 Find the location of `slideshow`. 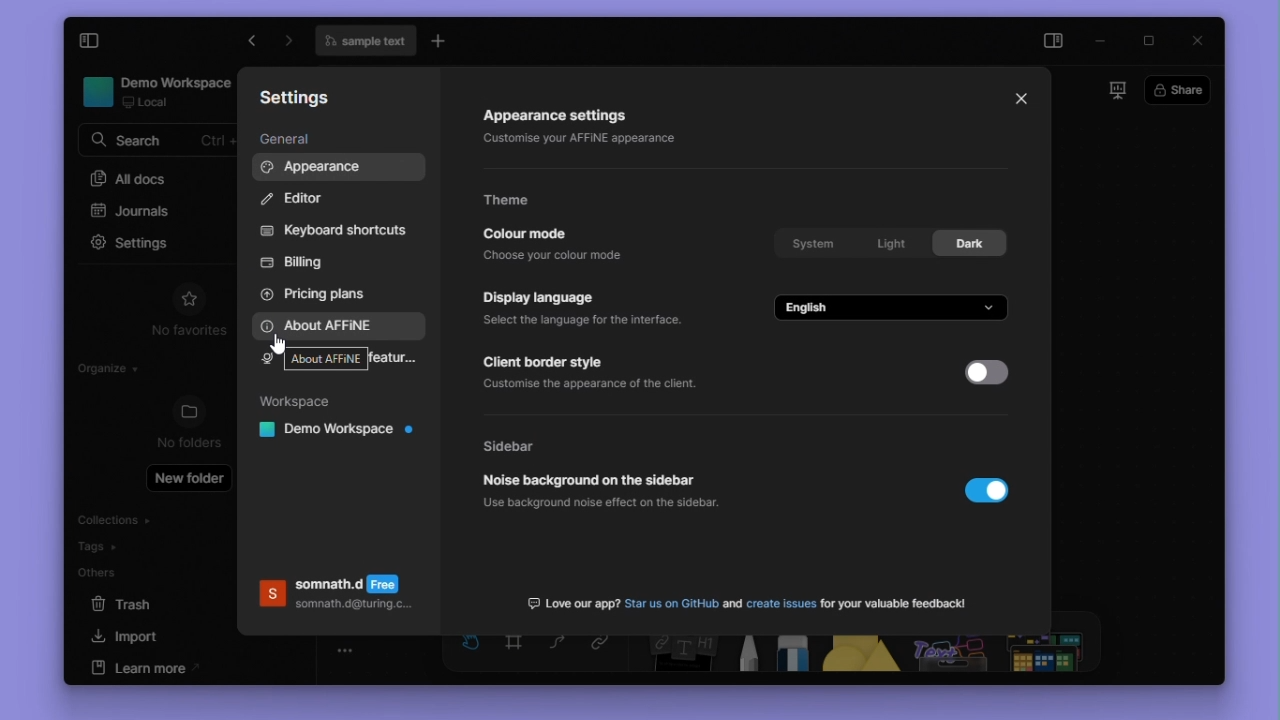

slideshow is located at coordinates (1111, 91).